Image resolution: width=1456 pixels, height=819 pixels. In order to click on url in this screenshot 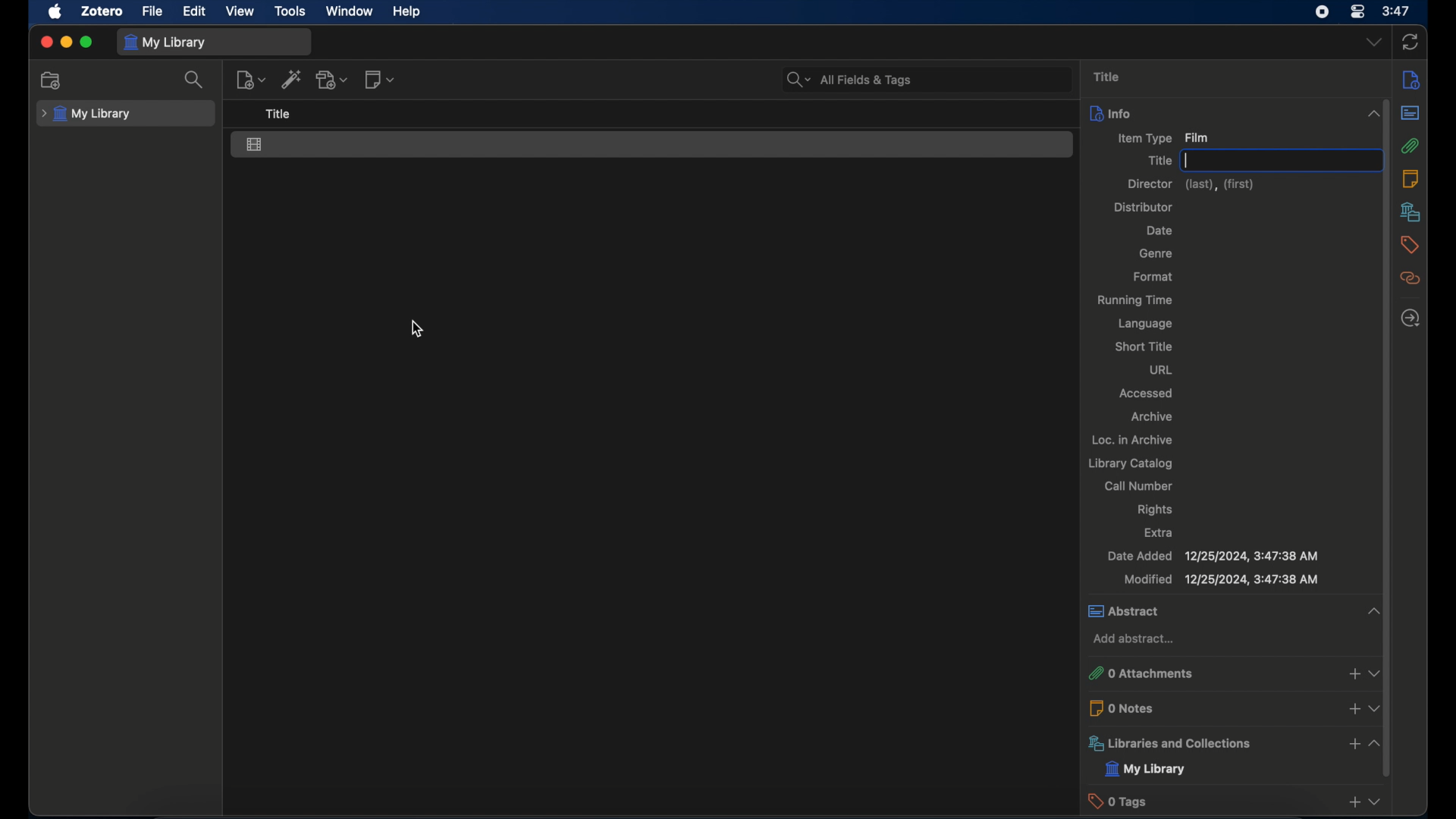, I will do `click(1162, 369)`.